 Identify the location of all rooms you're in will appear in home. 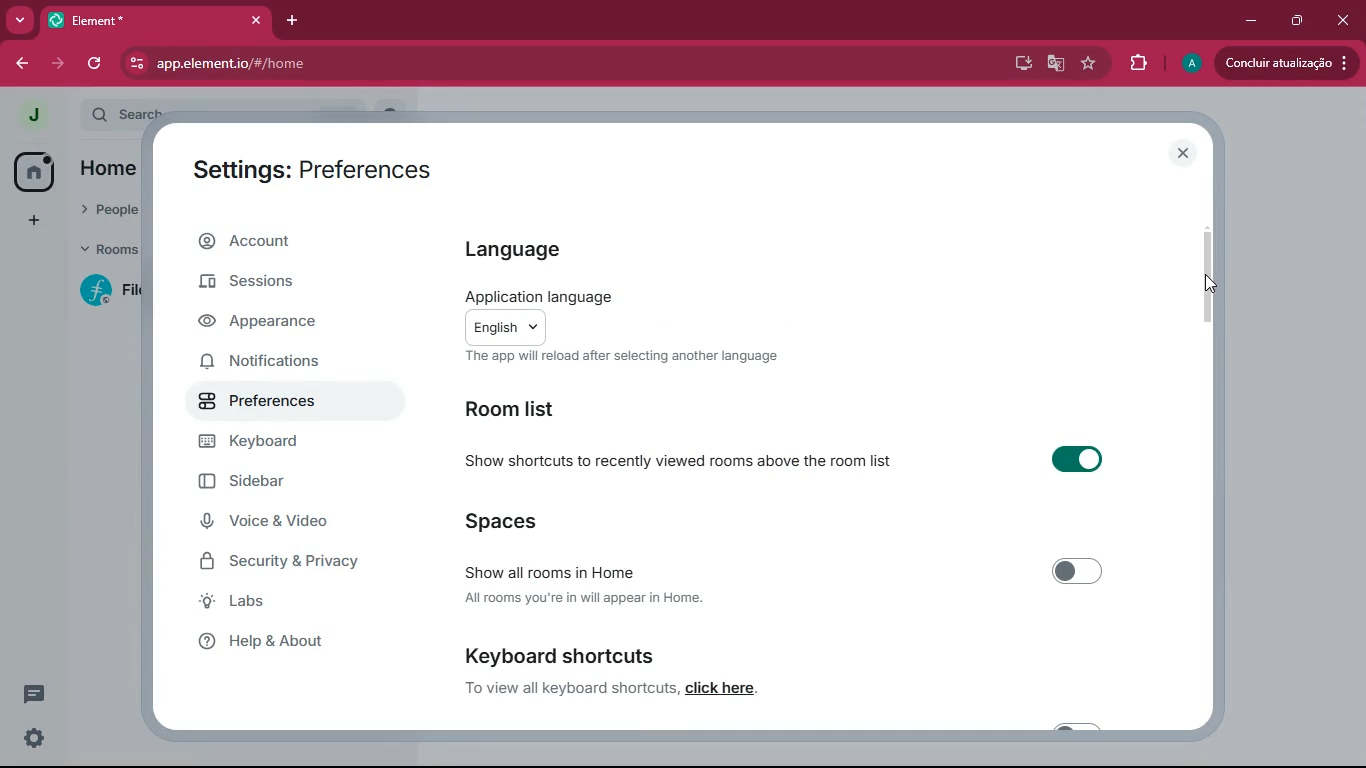
(585, 599).